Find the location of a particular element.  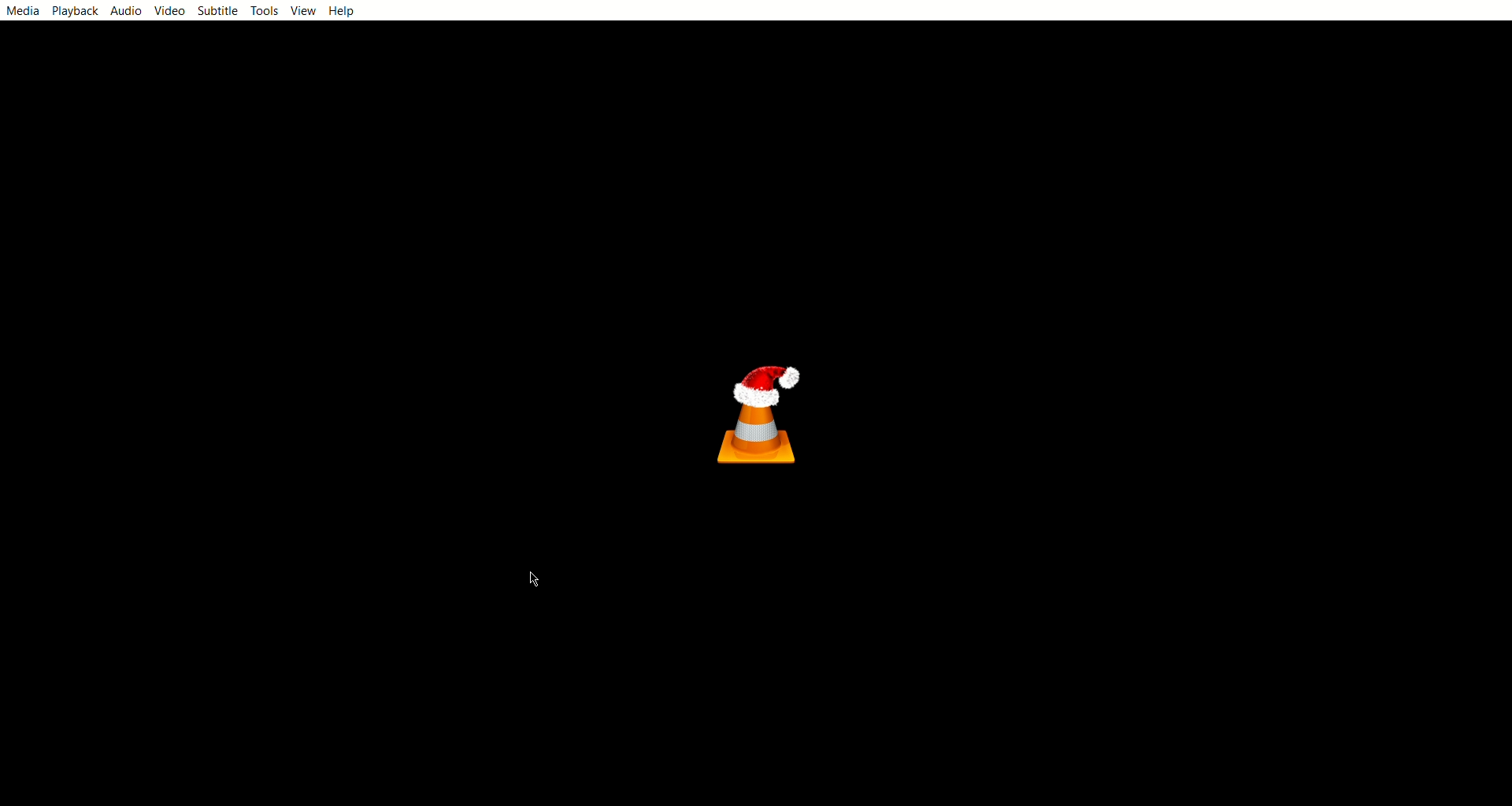

view is located at coordinates (304, 11).